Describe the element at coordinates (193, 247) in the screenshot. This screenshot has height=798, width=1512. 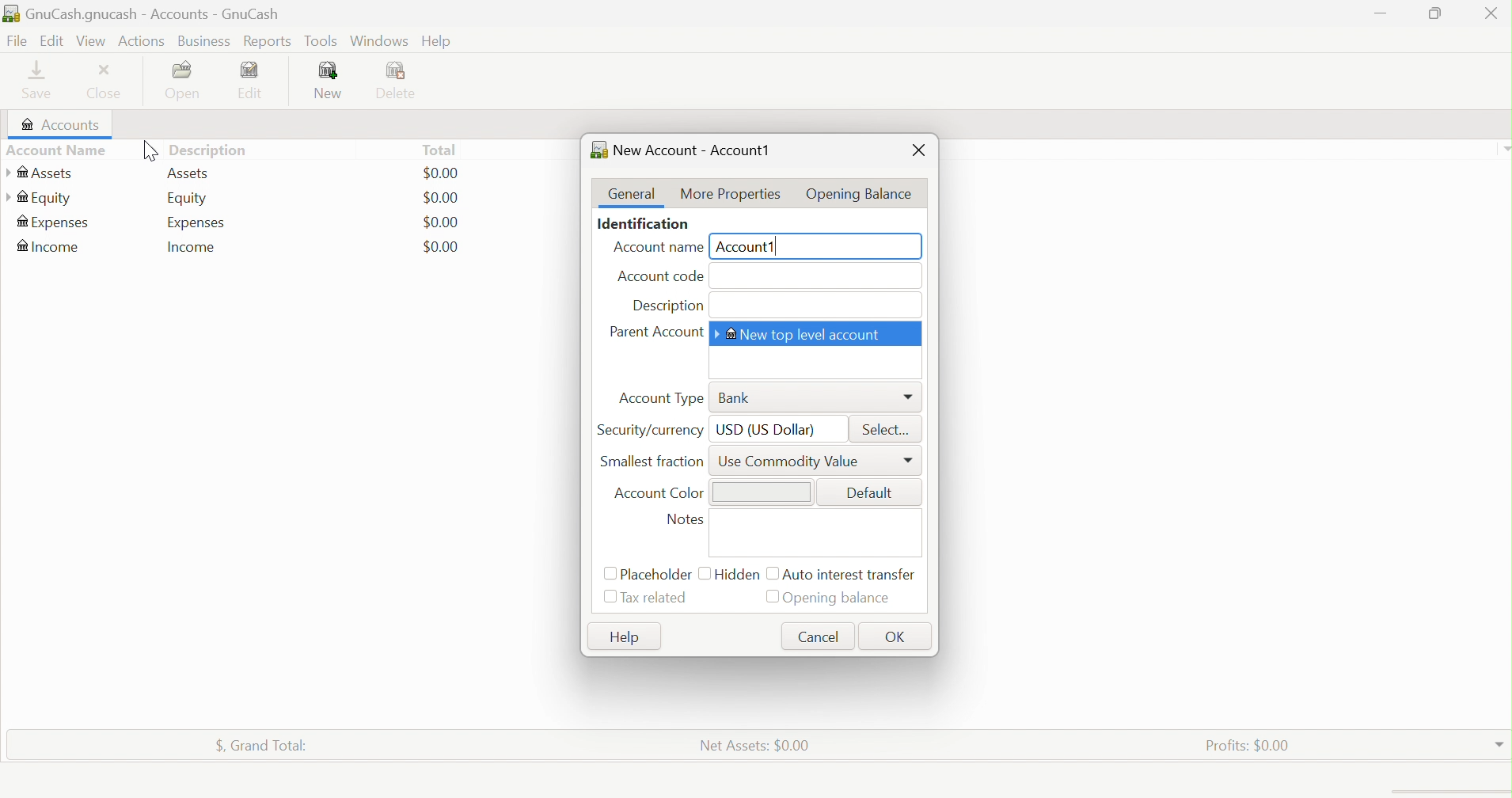
I see `Income` at that location.